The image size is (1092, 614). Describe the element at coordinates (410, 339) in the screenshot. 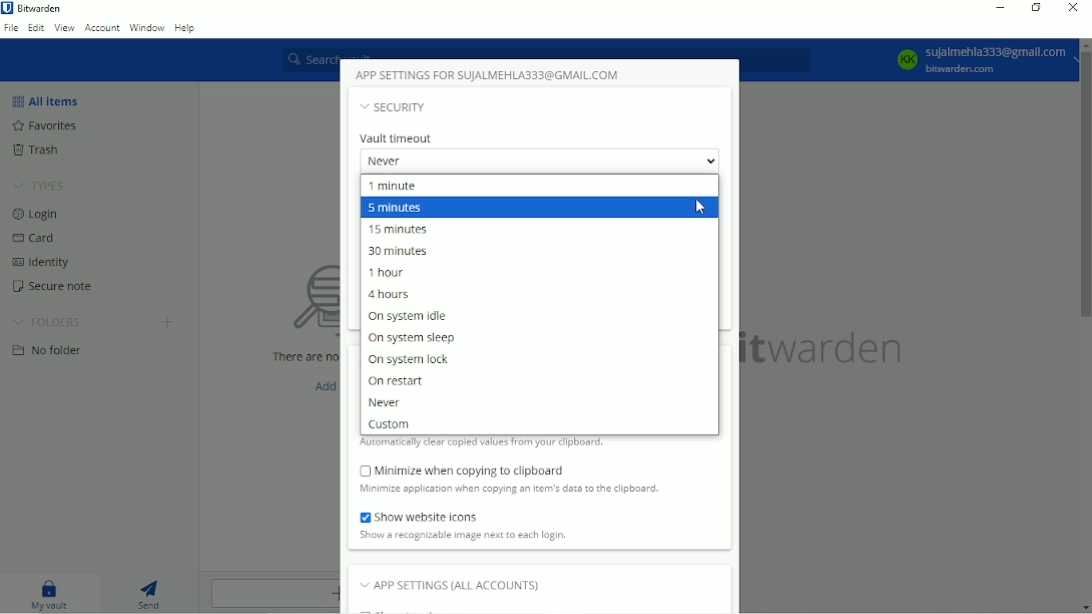

I see `On system sleep` at that location.